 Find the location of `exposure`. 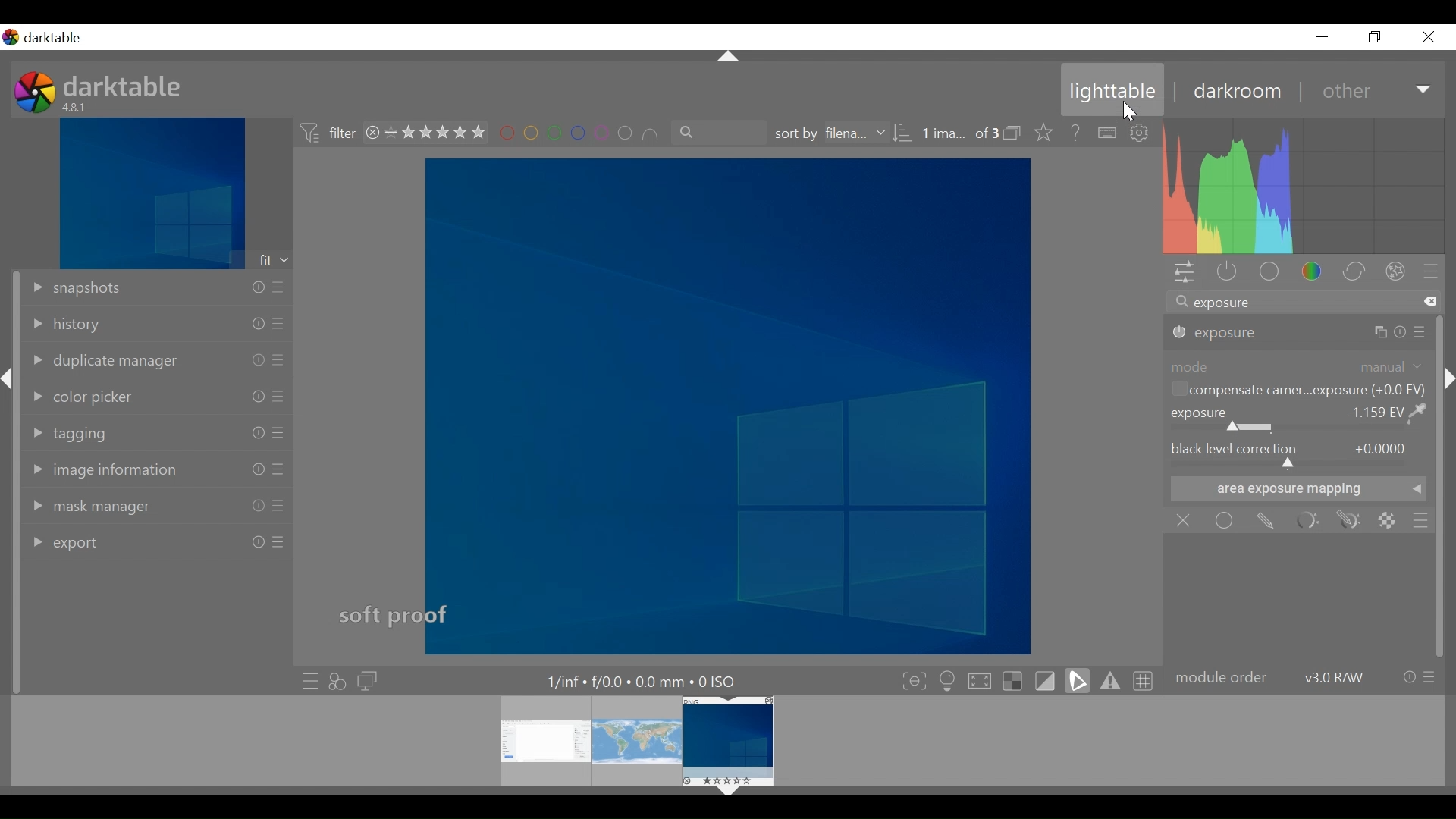

exposure is located at coordinates (1268, 334).